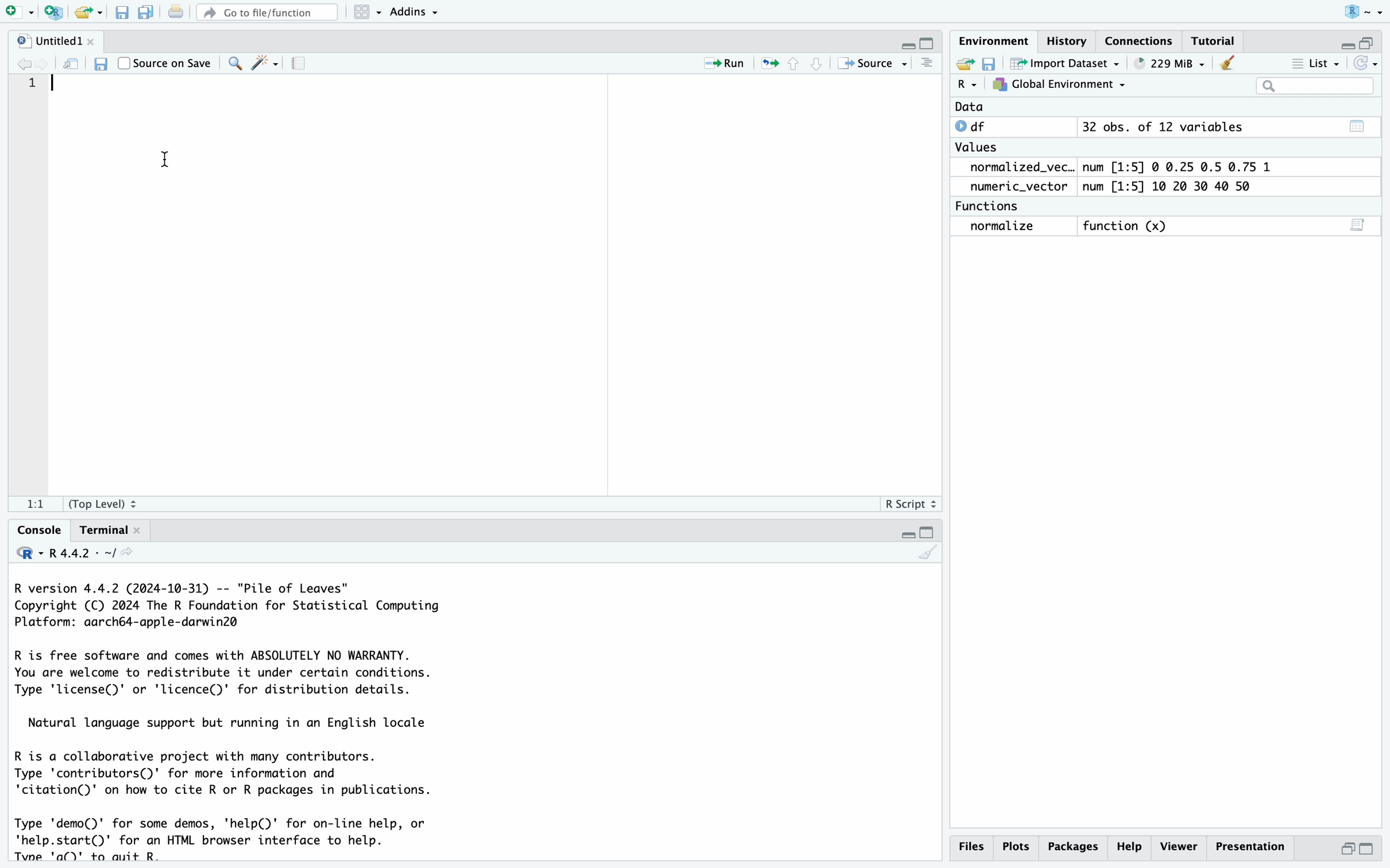 The height and width of the screenshot is (868, 1390). I want to click on new file, so click(17, 12).